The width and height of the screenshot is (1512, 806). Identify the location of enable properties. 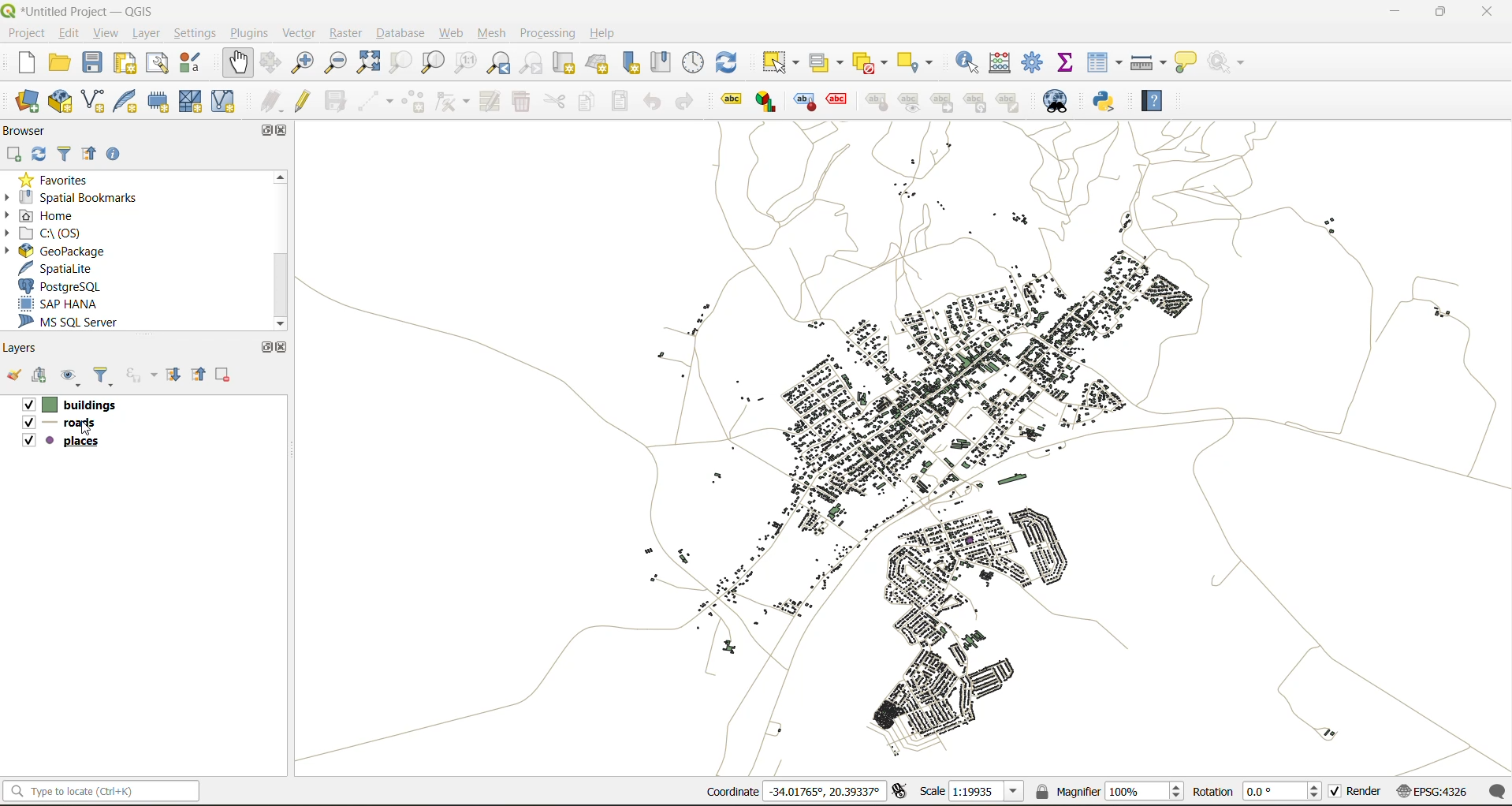
(112, 155).